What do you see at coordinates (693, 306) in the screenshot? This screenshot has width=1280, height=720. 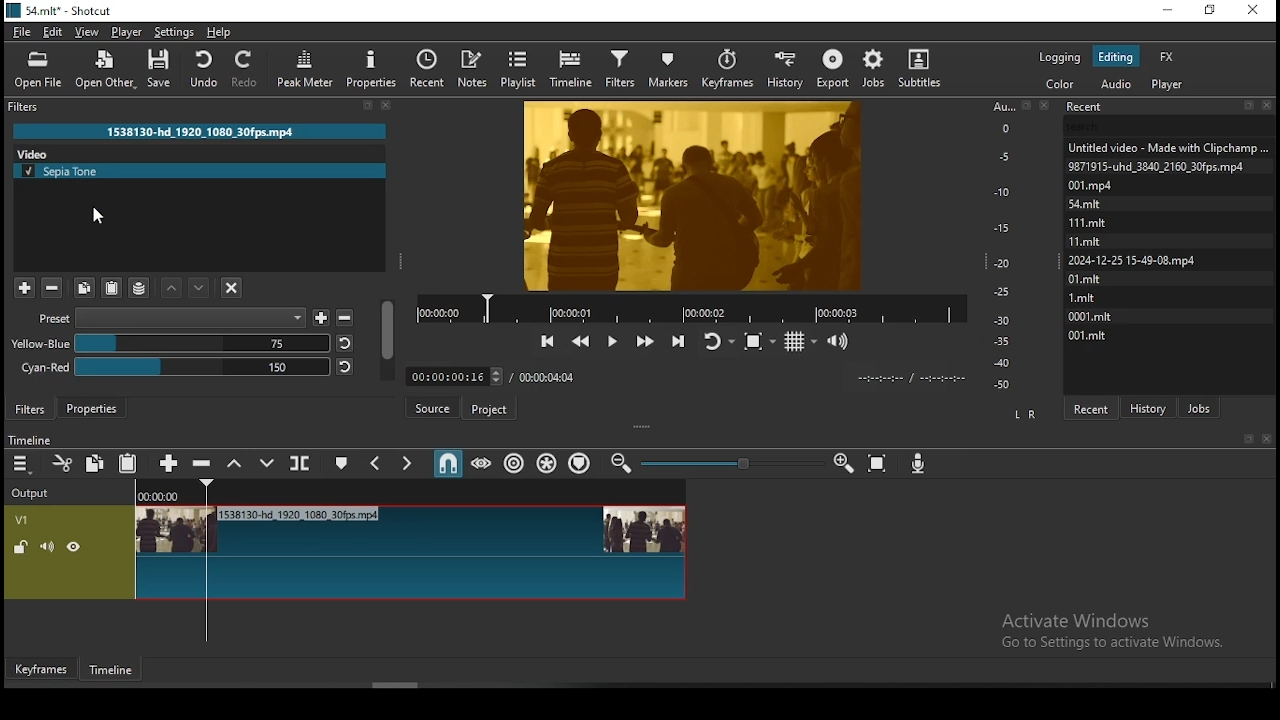 I see `track progress bar` at bounding box center [693, 306].